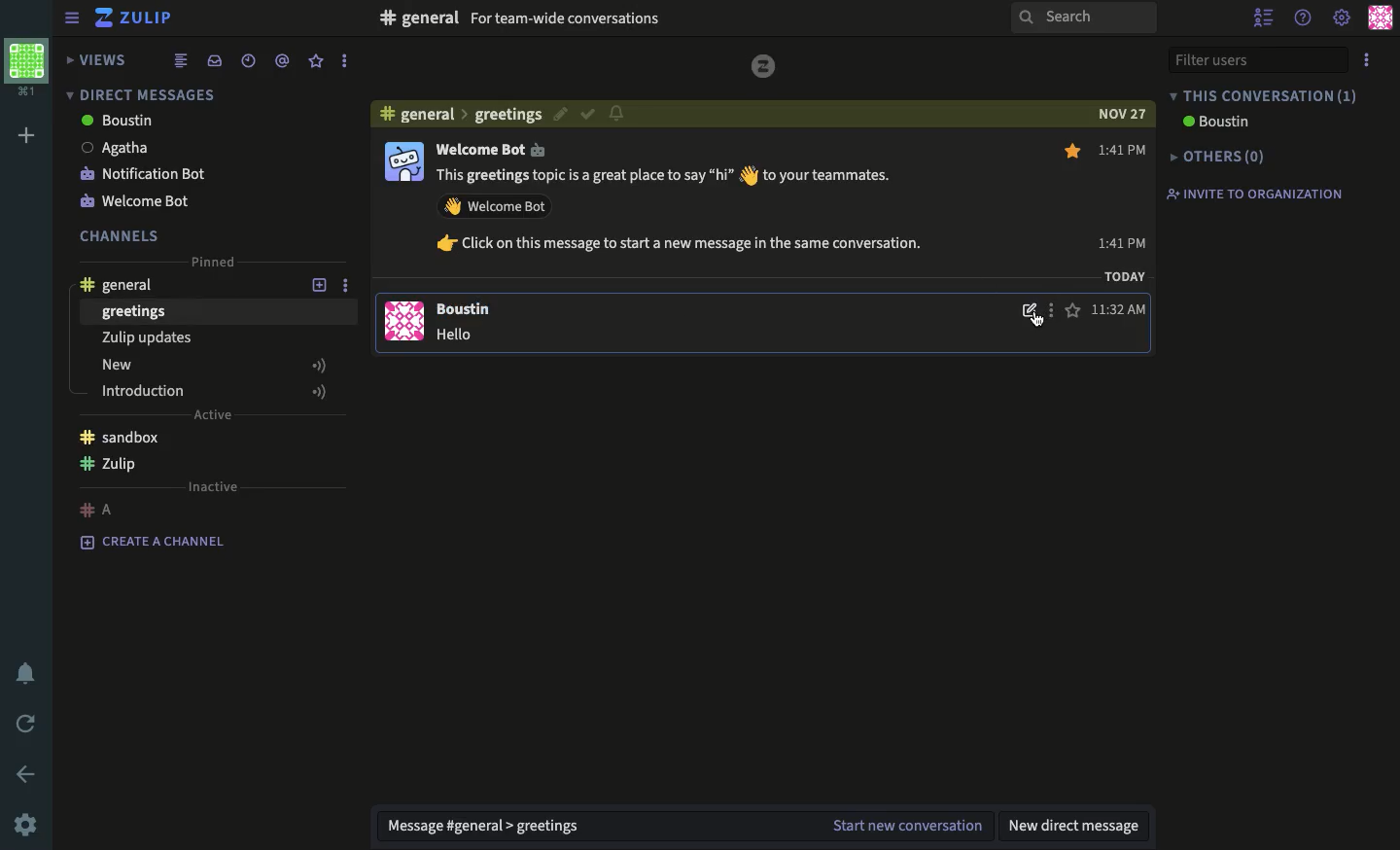 The image size is (1400, 850). What do you see at coordinates (146, 174) in the screenshot?
I see `Notification Bot` at bounding box center [146, 174].